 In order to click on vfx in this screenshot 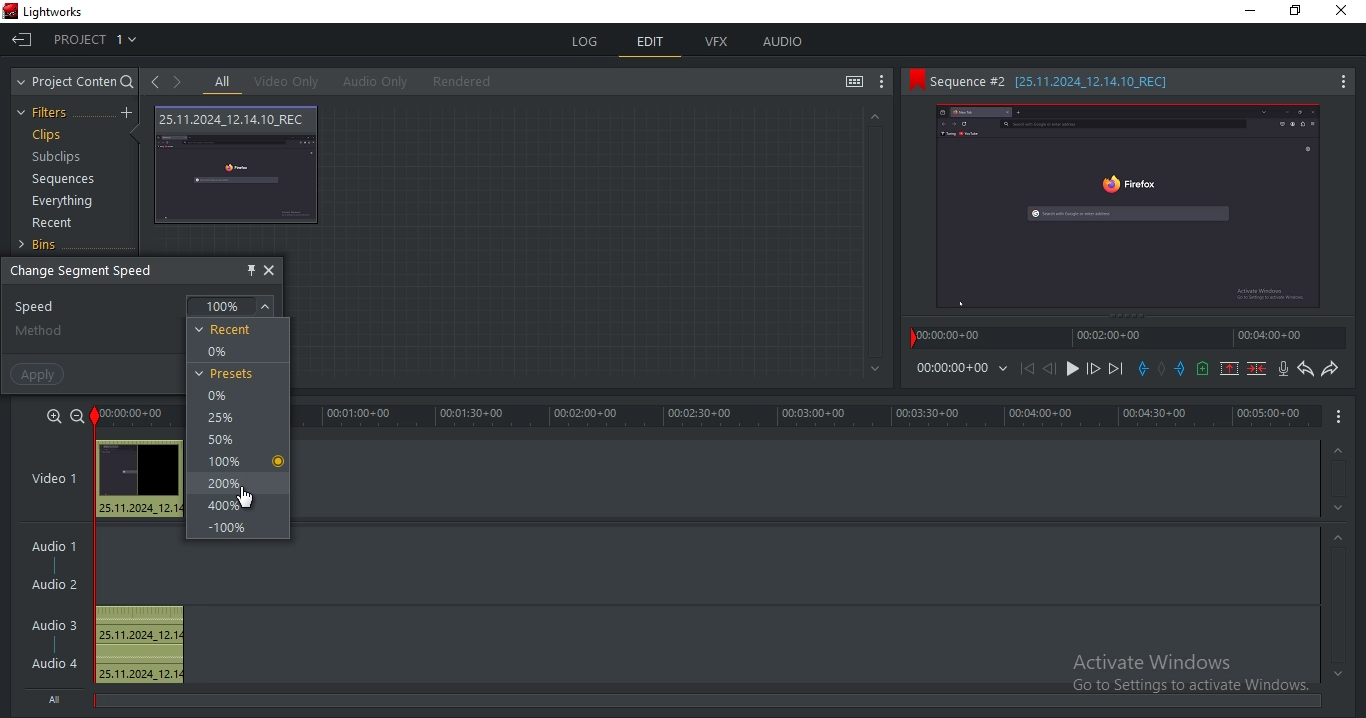, I will do `click(721, 43)`.